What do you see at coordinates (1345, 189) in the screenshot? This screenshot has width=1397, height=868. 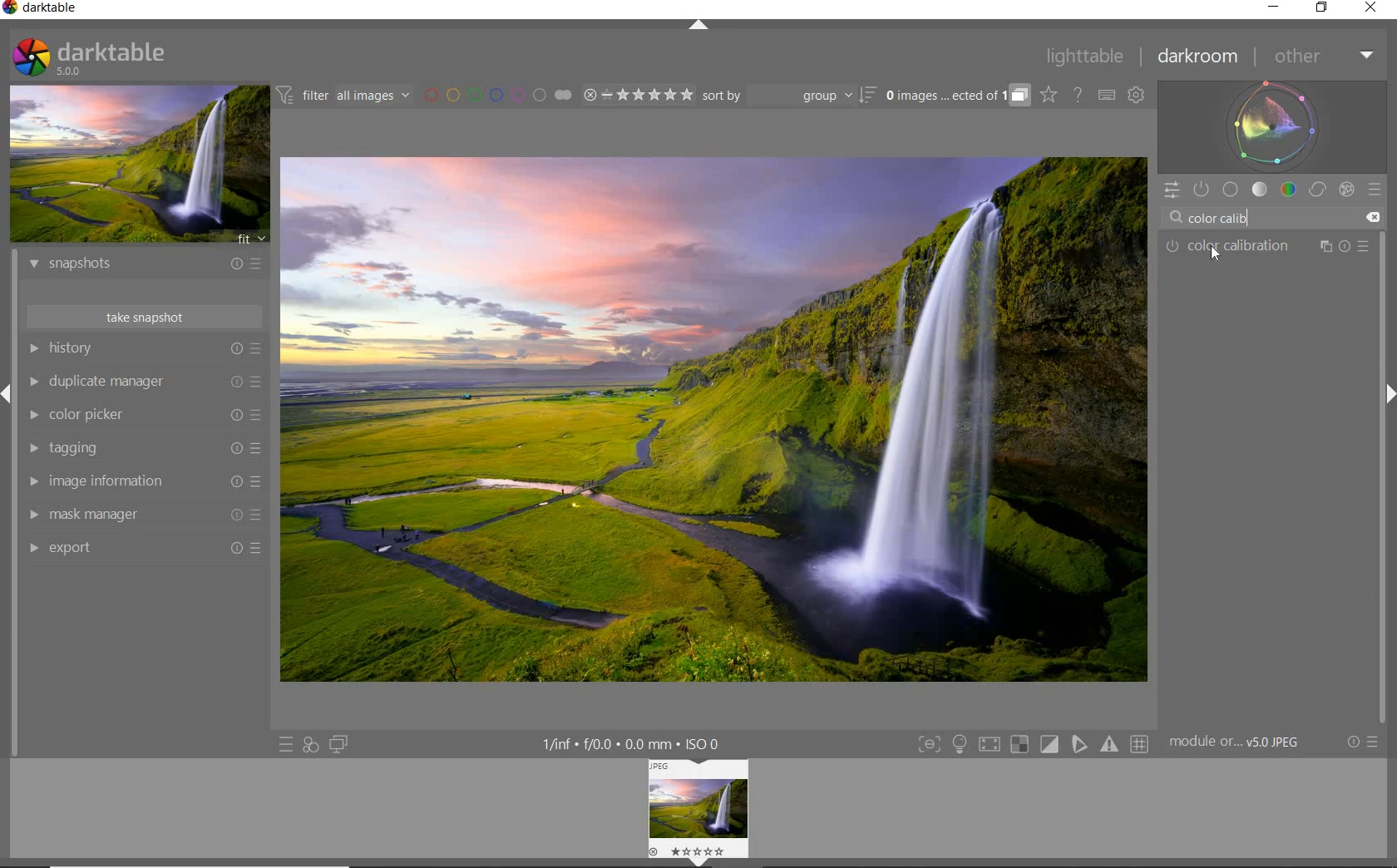 I see `effect` at bounding box center [1345, 189].